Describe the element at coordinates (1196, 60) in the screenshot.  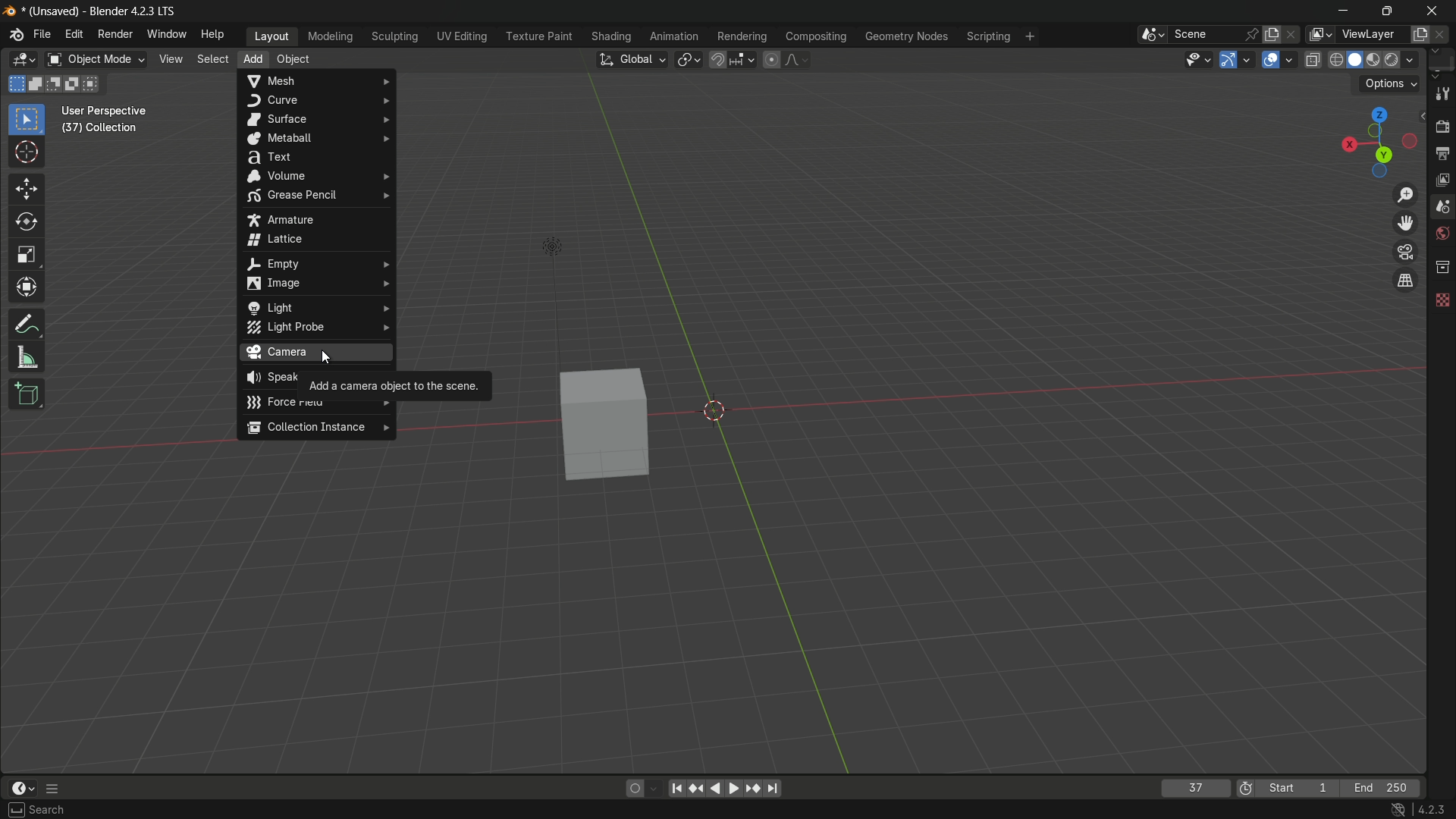
I see `selectability and visibility` at that location.